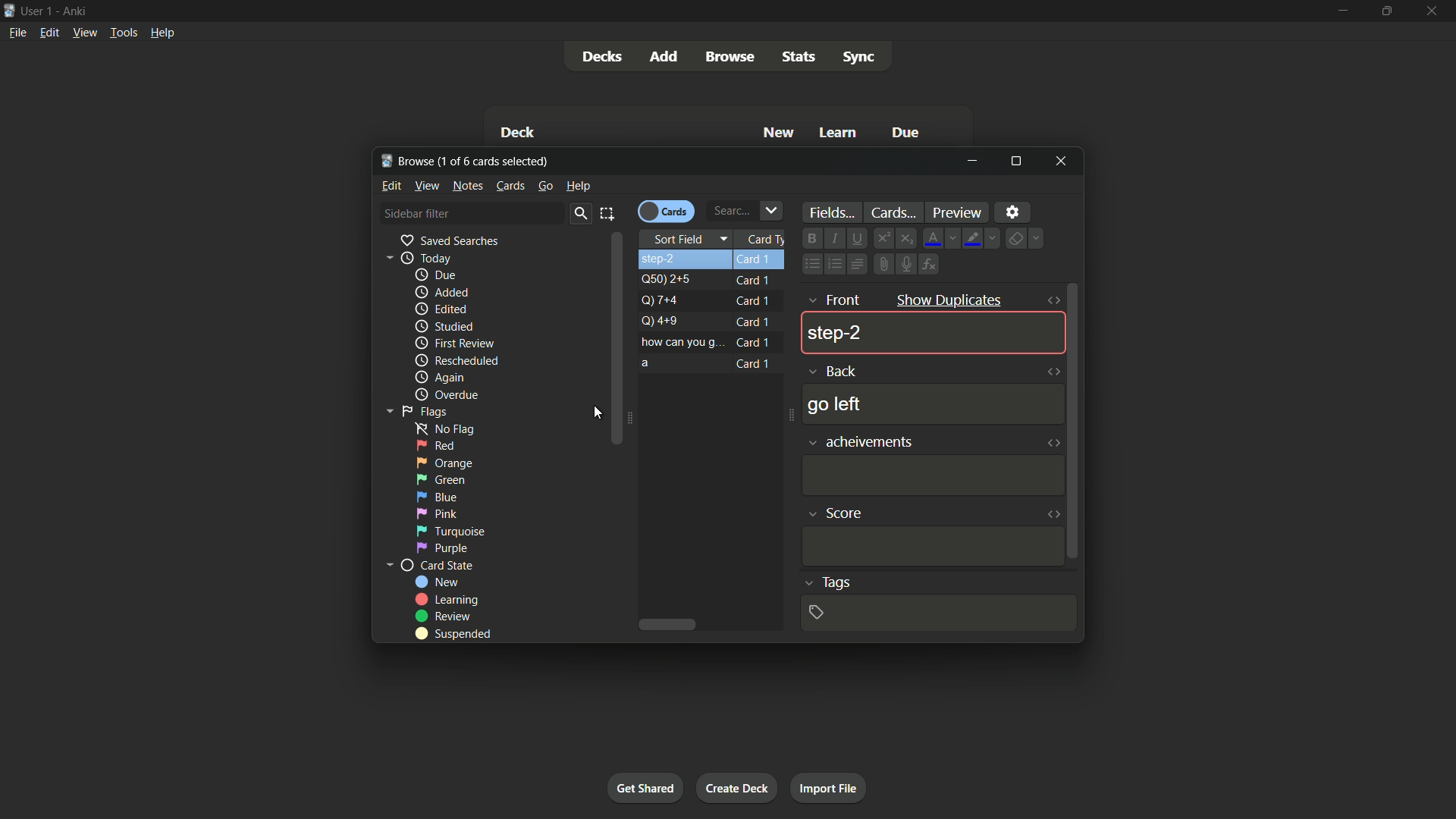  What do you see at coordinates (413, 410) in the screenshot?
I see `Flags` at bounding box center [413, 410].